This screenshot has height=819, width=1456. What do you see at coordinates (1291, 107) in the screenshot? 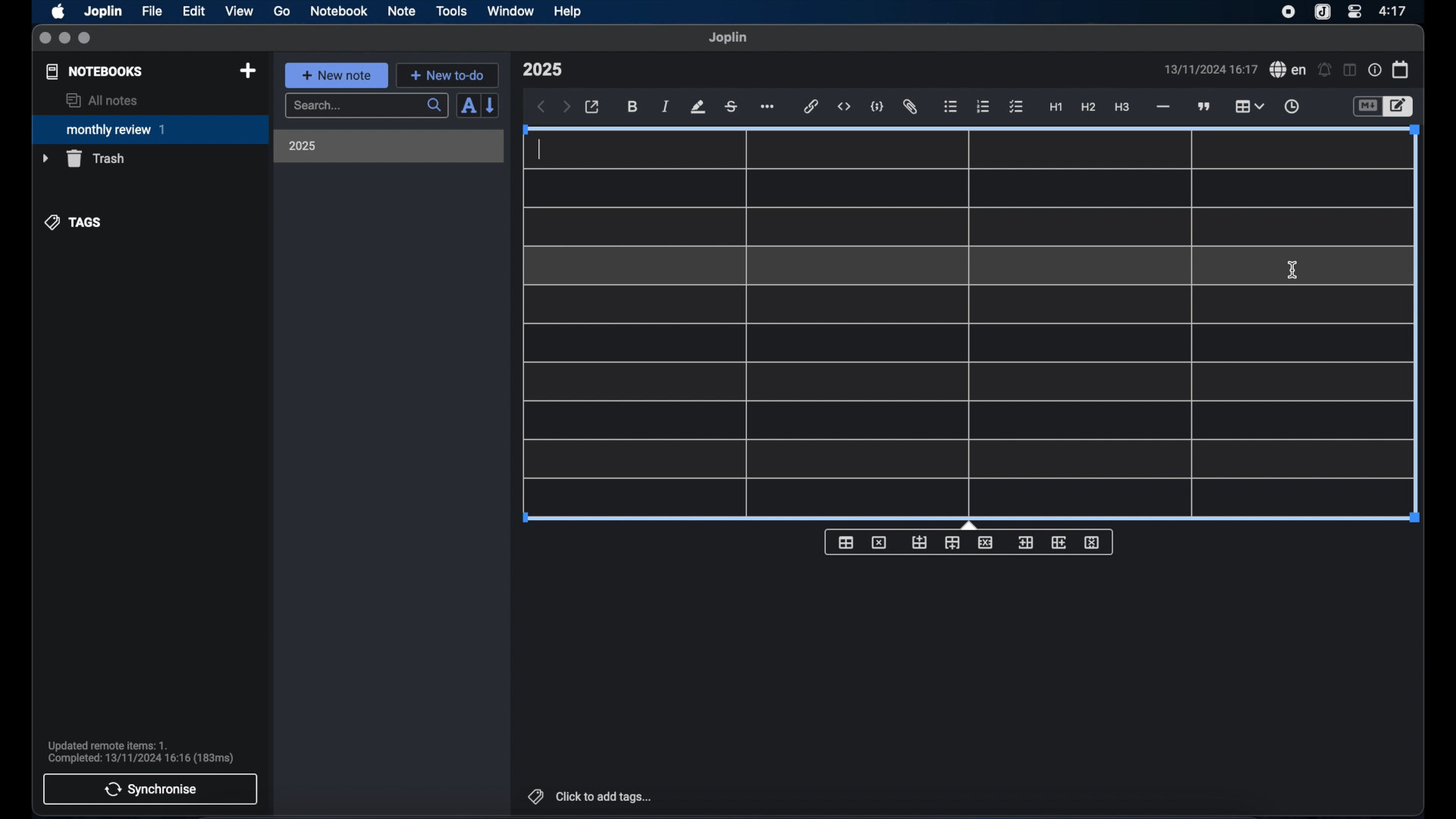
I see `insert time` at bounding box center [1291, 107].